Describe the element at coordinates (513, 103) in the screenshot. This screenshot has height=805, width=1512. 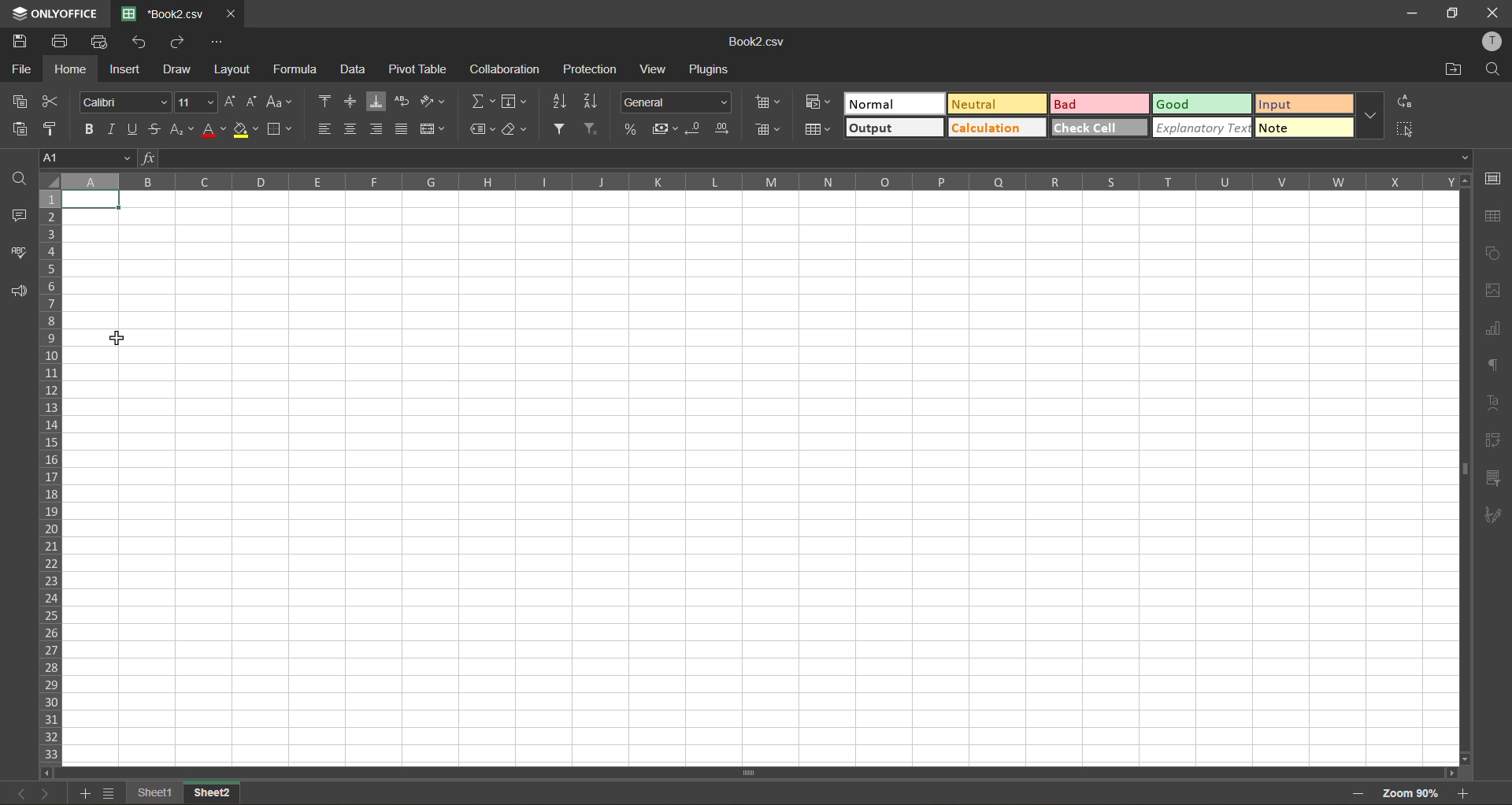
I see `field` at that location.